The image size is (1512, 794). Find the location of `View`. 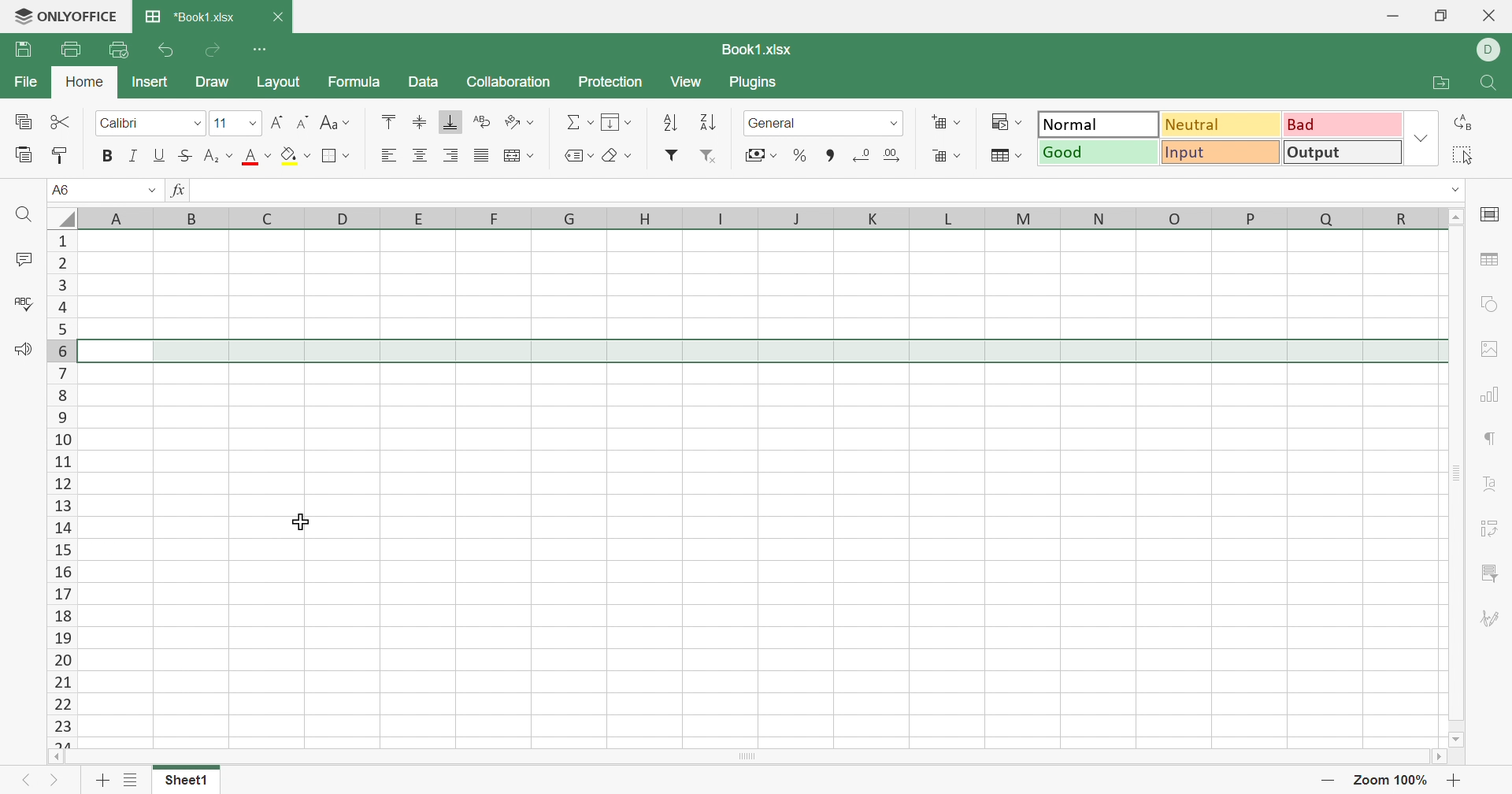

View is located at coordinates (687, 78).